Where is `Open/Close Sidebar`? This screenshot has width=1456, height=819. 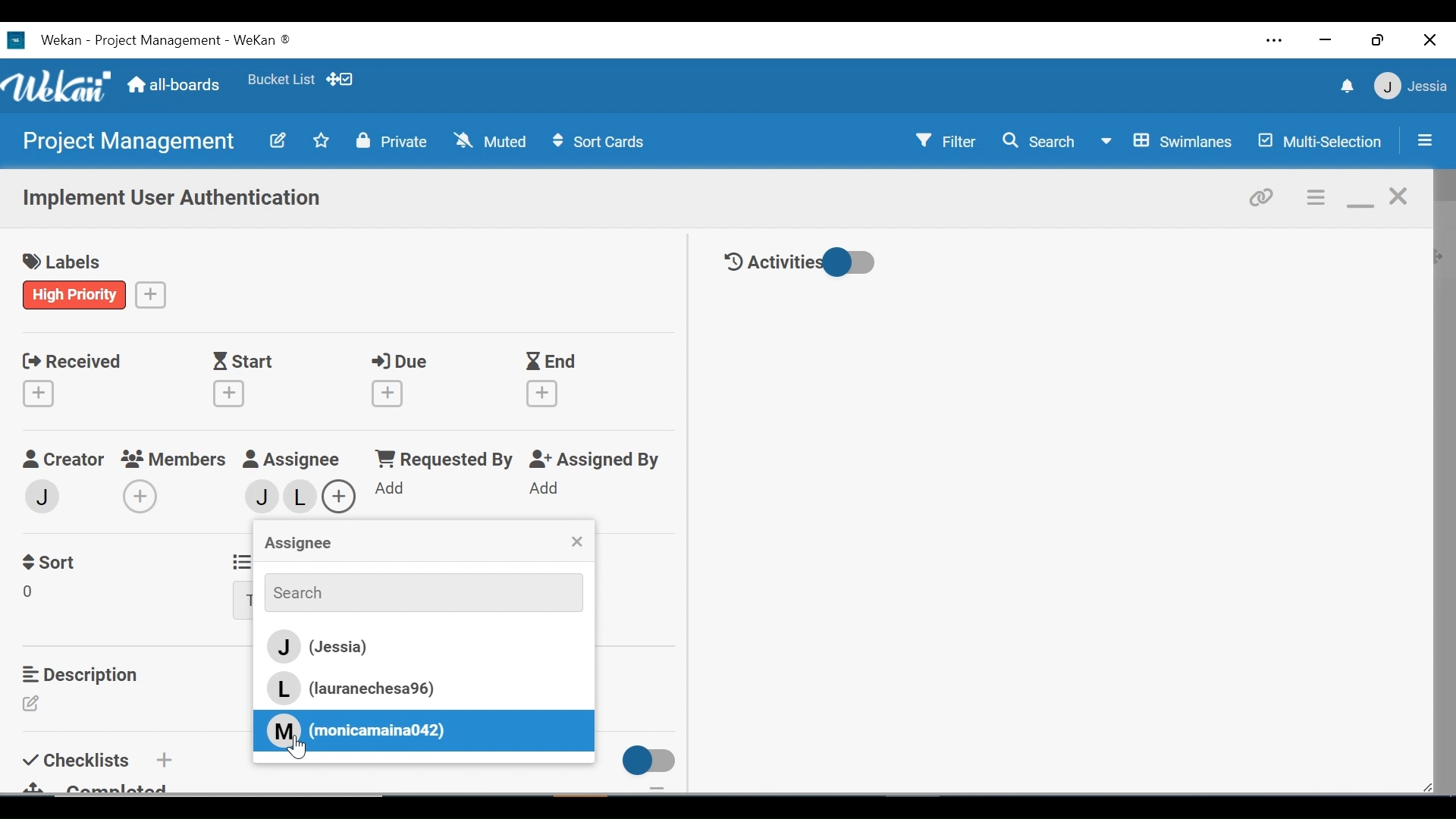
Open/Close Sidebar is located at coordinates (1423, 142).